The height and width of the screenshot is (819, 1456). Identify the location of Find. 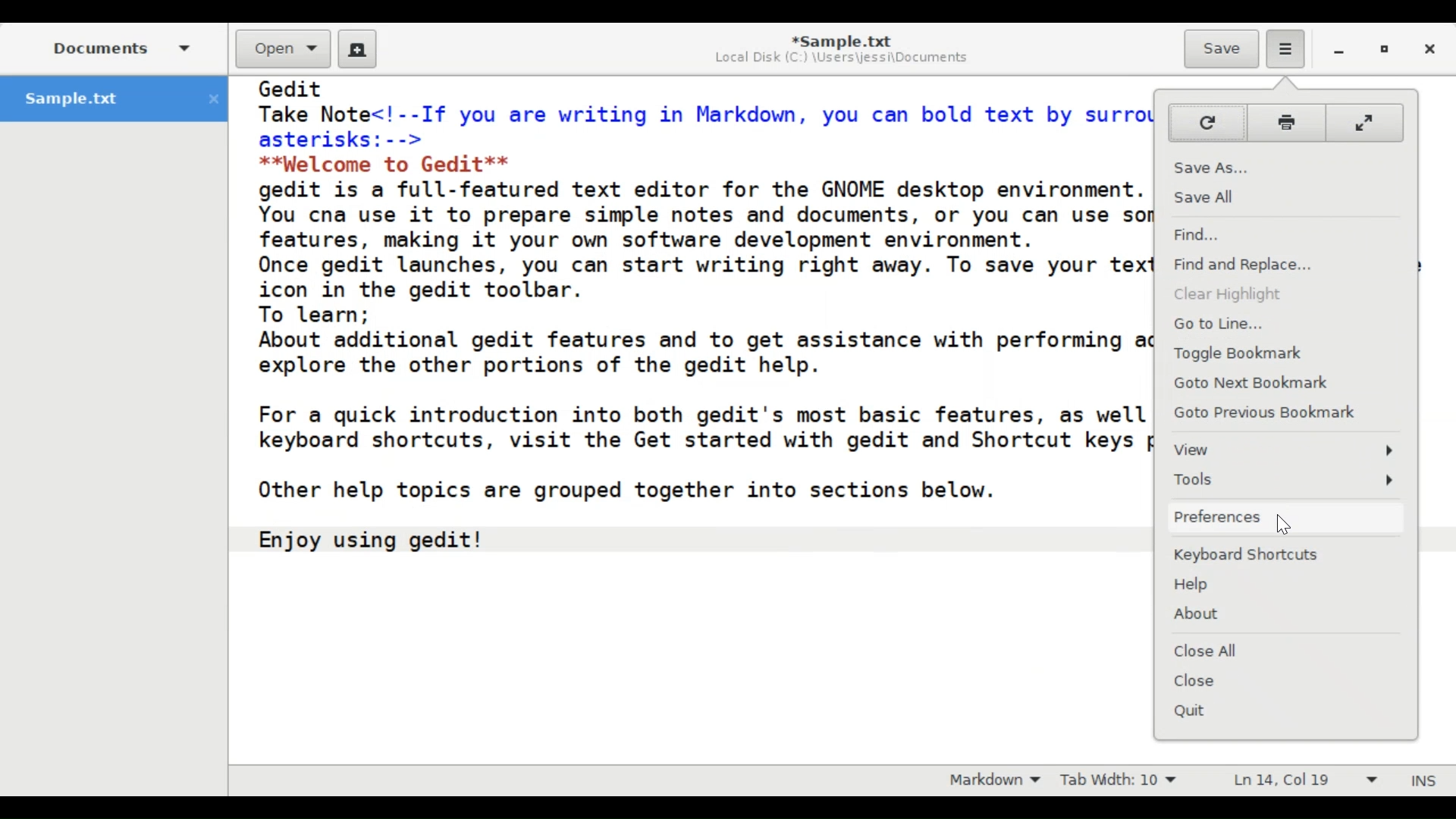
(1283, 234).